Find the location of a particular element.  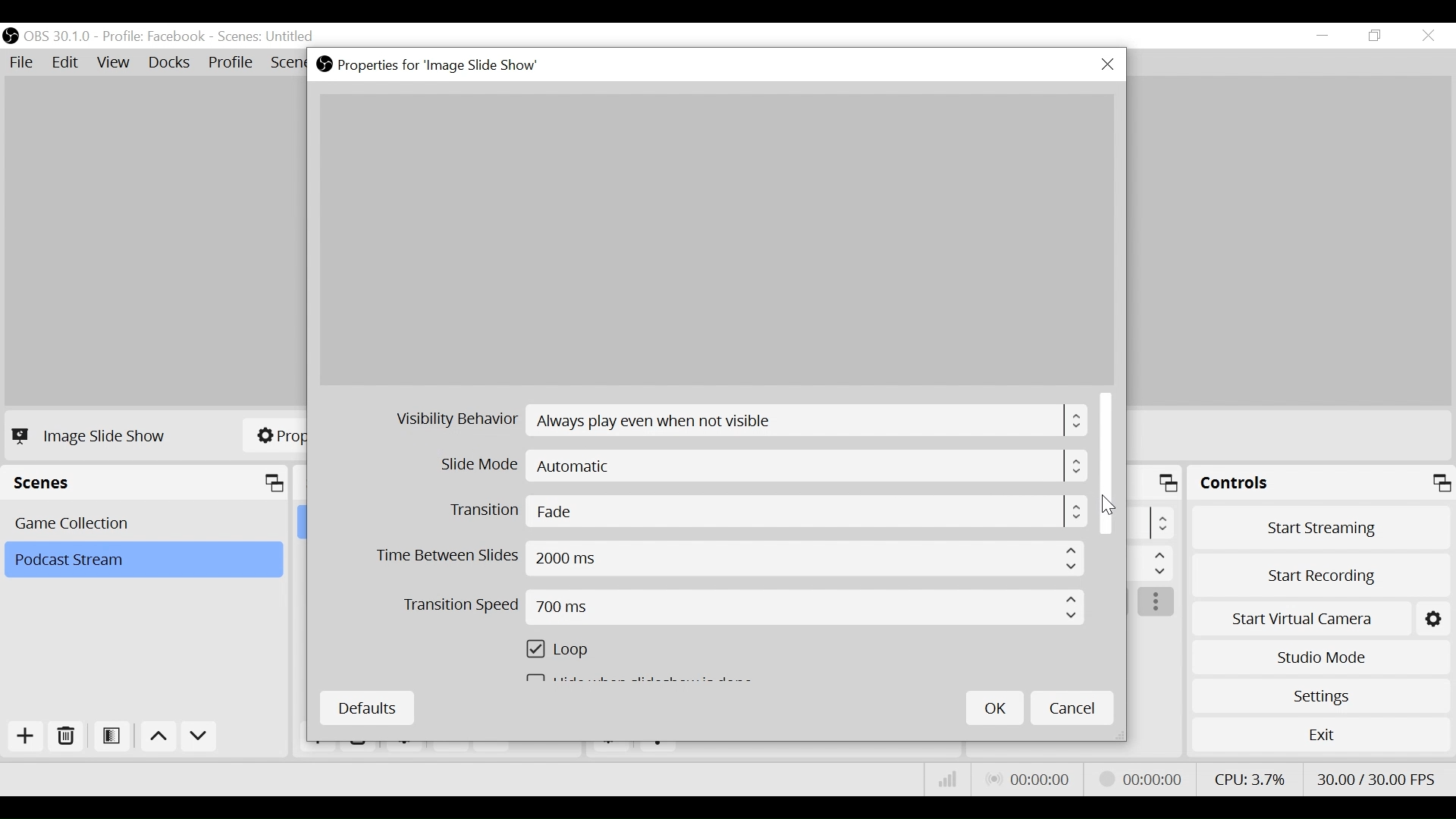

Times between slides is located at coordinates (730, 559).